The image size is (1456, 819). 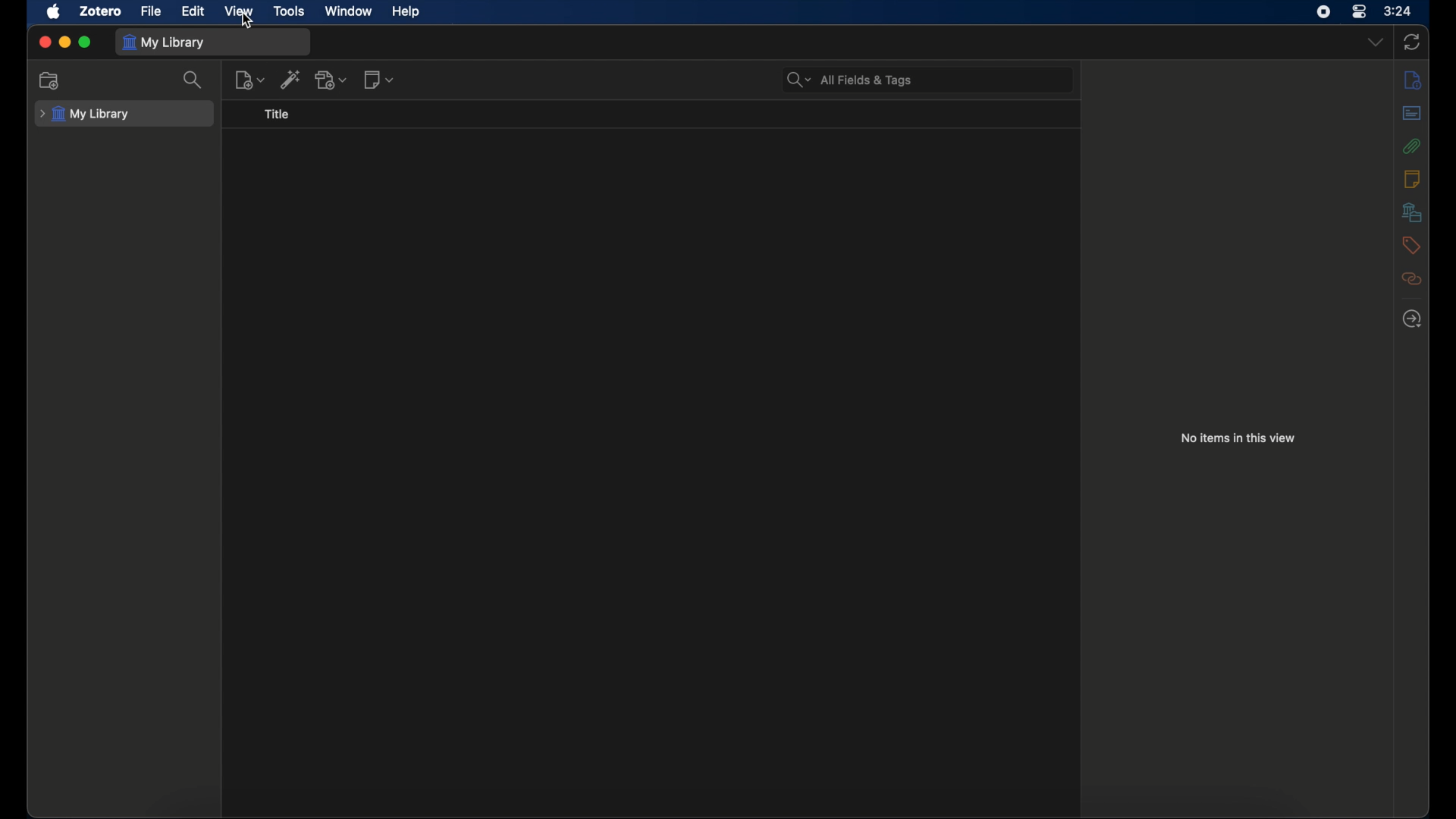 What do you see at coordinates (1412, 146) in the screenshot?
I see `attachments` at bounding box center [1412, 146].